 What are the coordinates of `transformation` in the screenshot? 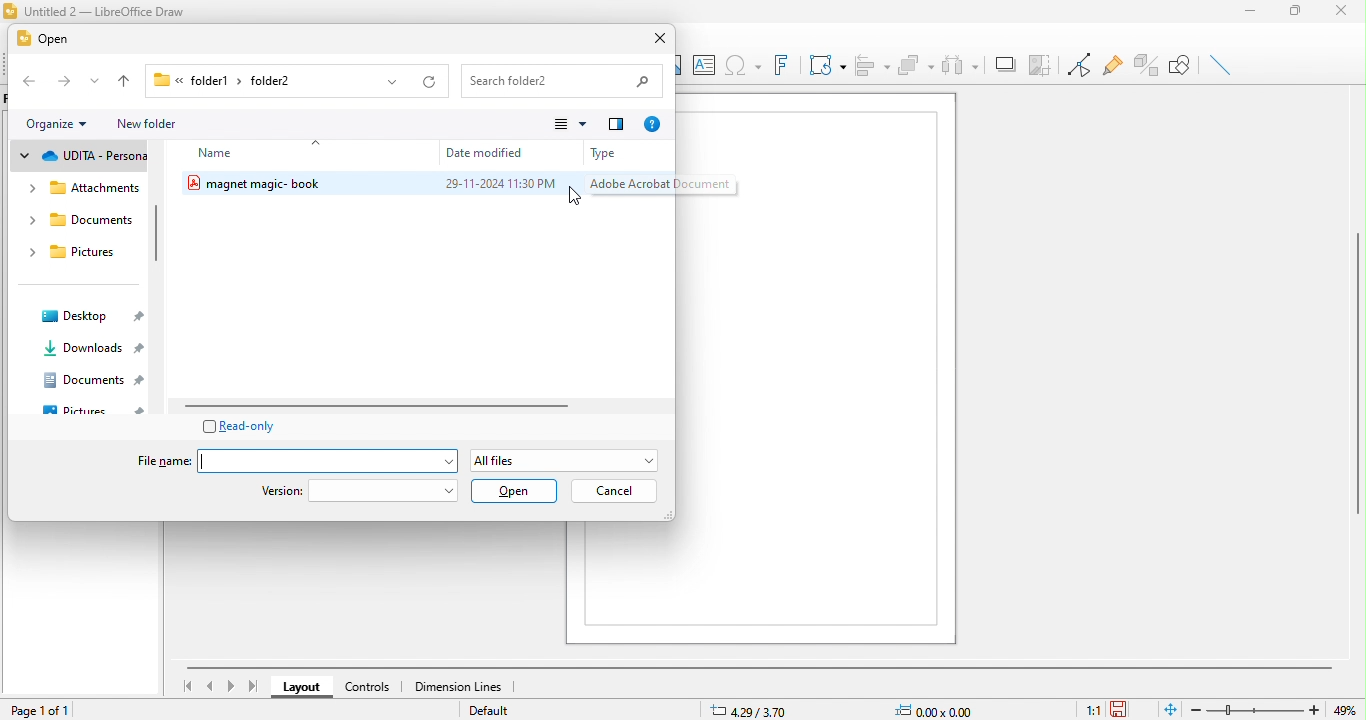 It's located at (823, 64).